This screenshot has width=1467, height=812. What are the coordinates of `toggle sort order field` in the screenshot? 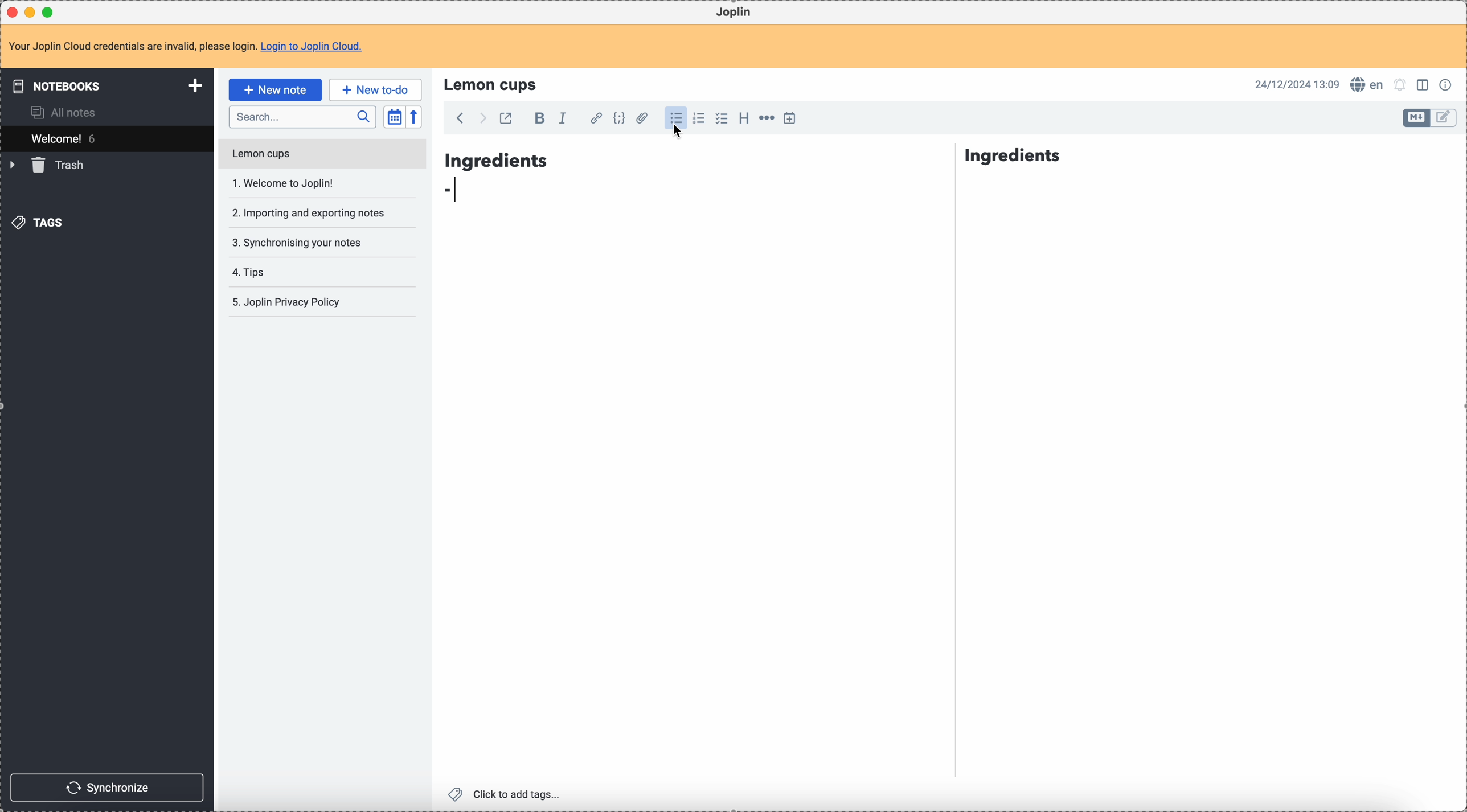 It's located at (394, 117).